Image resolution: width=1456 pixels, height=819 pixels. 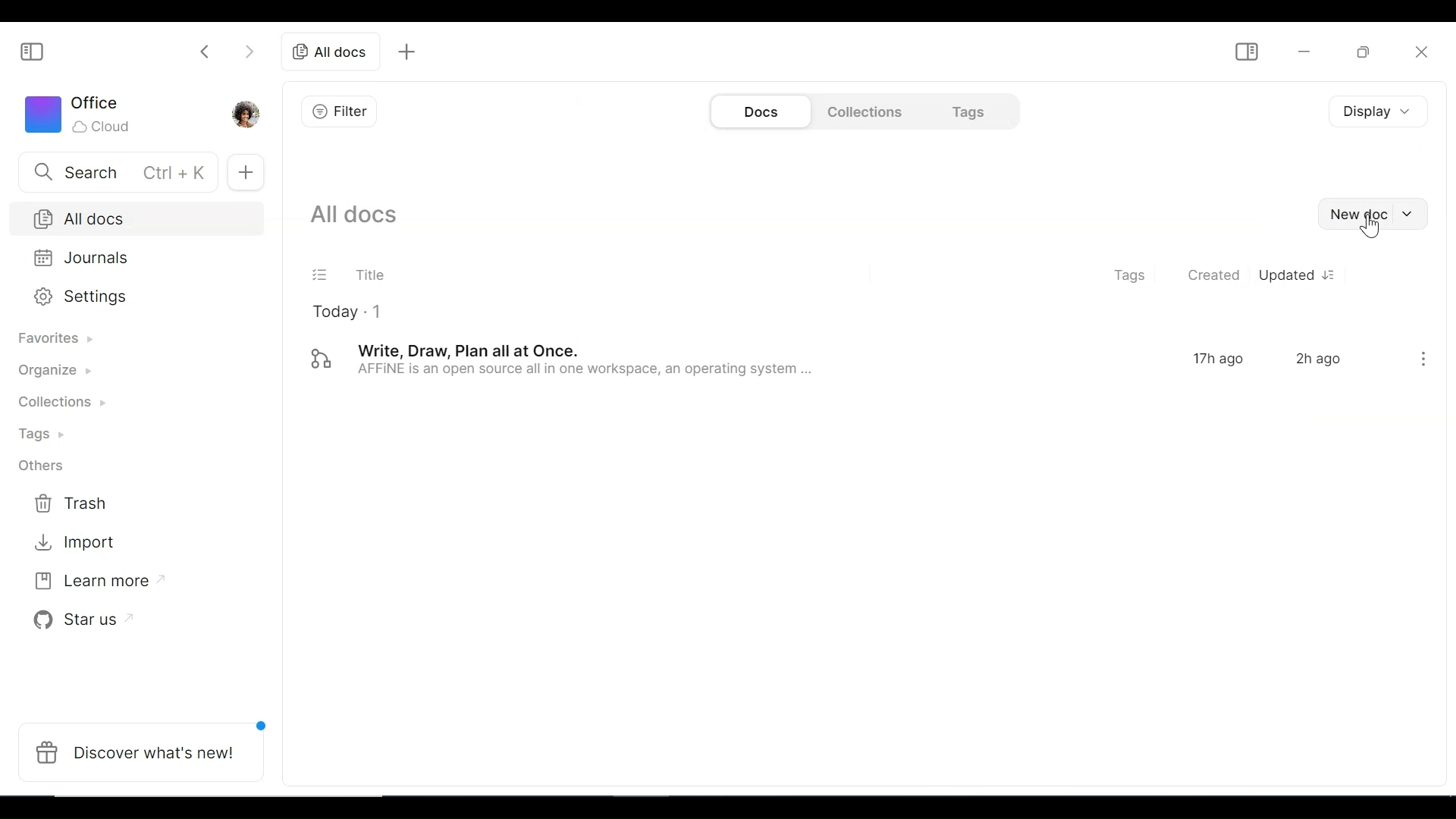 I want to click on Show/Hide Sidebar, so click(x=33, y=50).